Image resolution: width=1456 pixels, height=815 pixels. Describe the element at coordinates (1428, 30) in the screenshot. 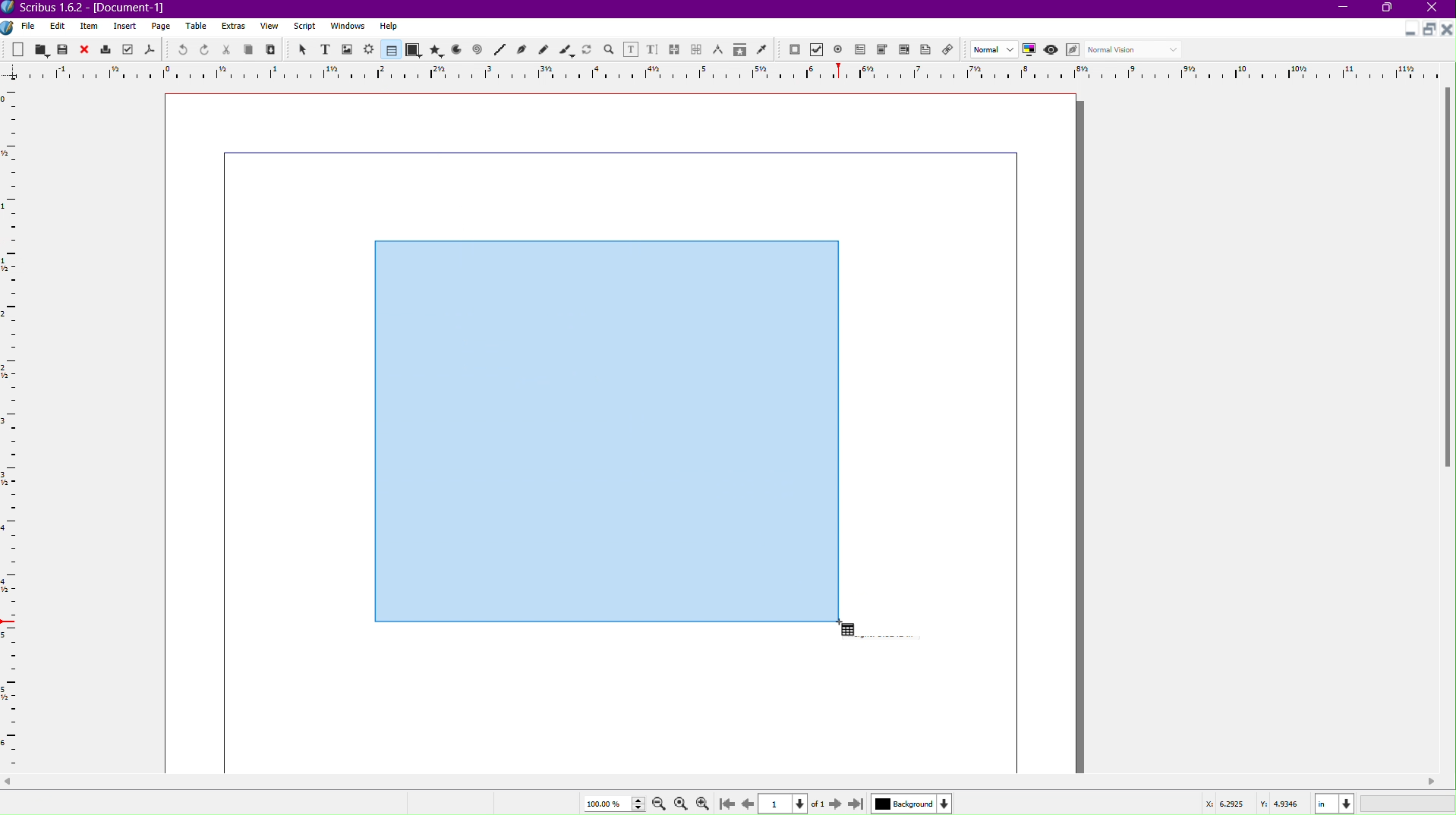

I see `Maximize` at that location.